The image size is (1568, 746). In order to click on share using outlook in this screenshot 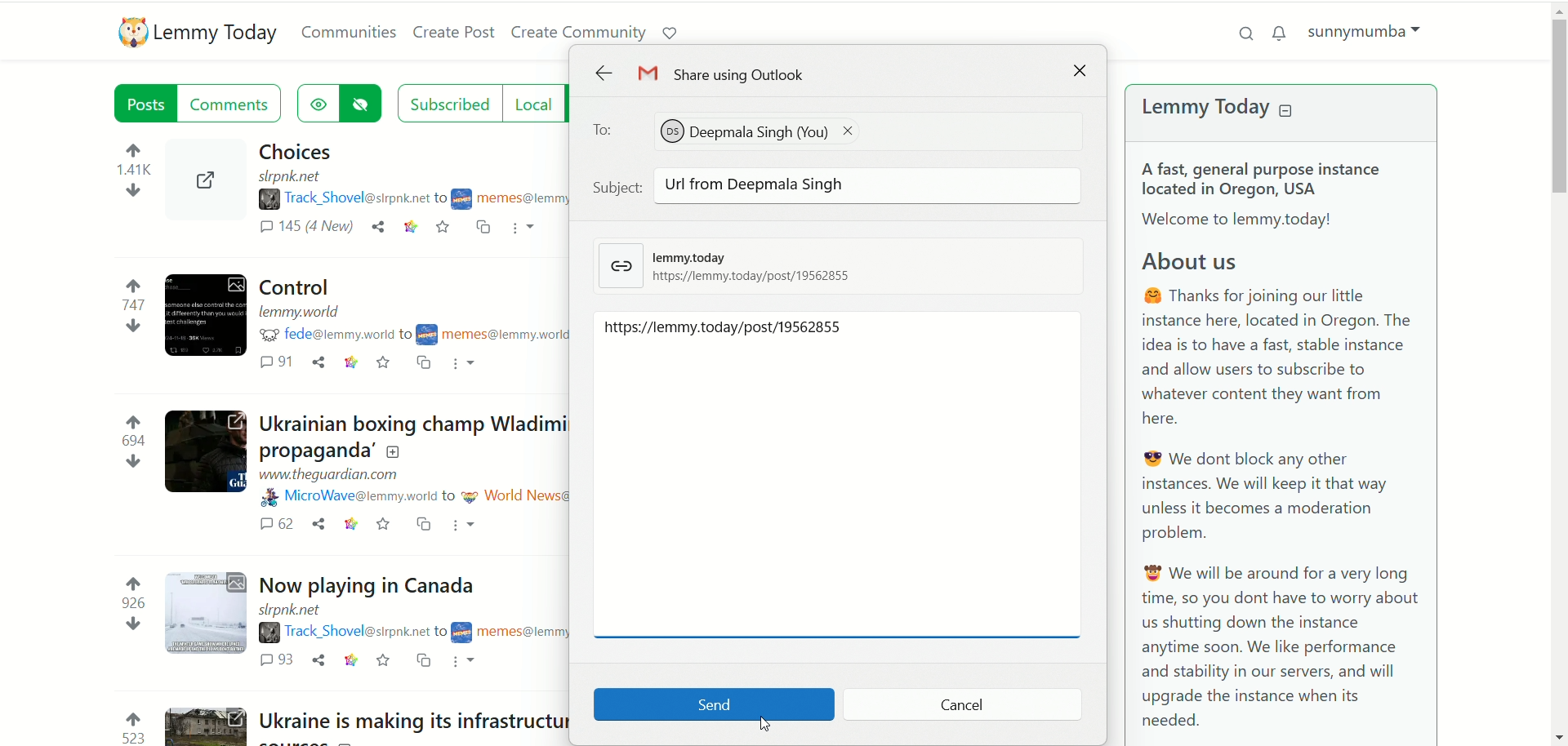, I will do `click(723, 75)`.